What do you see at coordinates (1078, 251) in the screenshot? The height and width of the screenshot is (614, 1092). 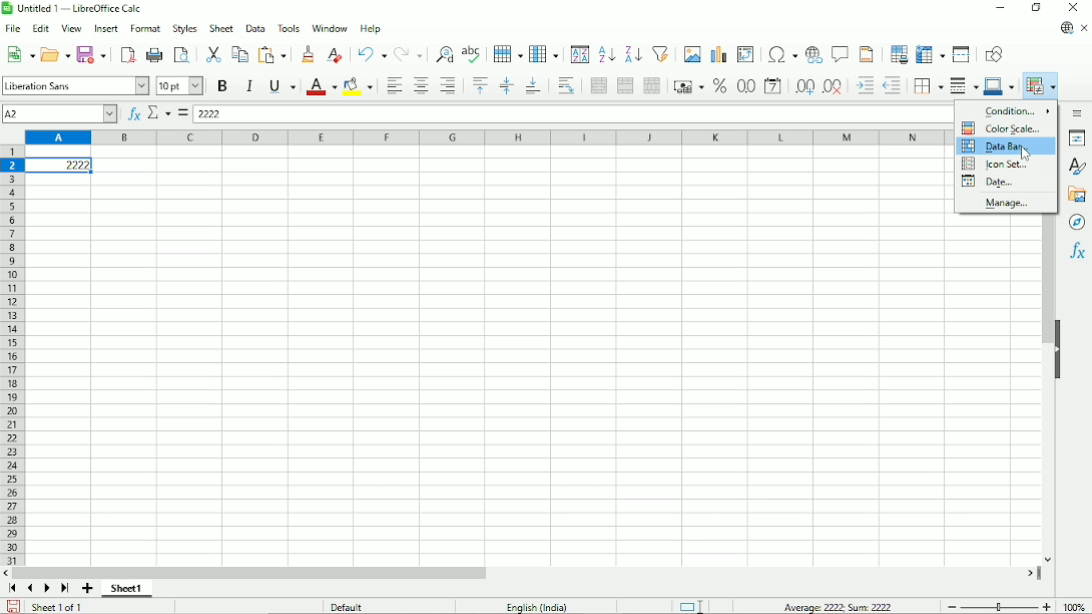 I see `Functions` at bounding box center [1078, 251].